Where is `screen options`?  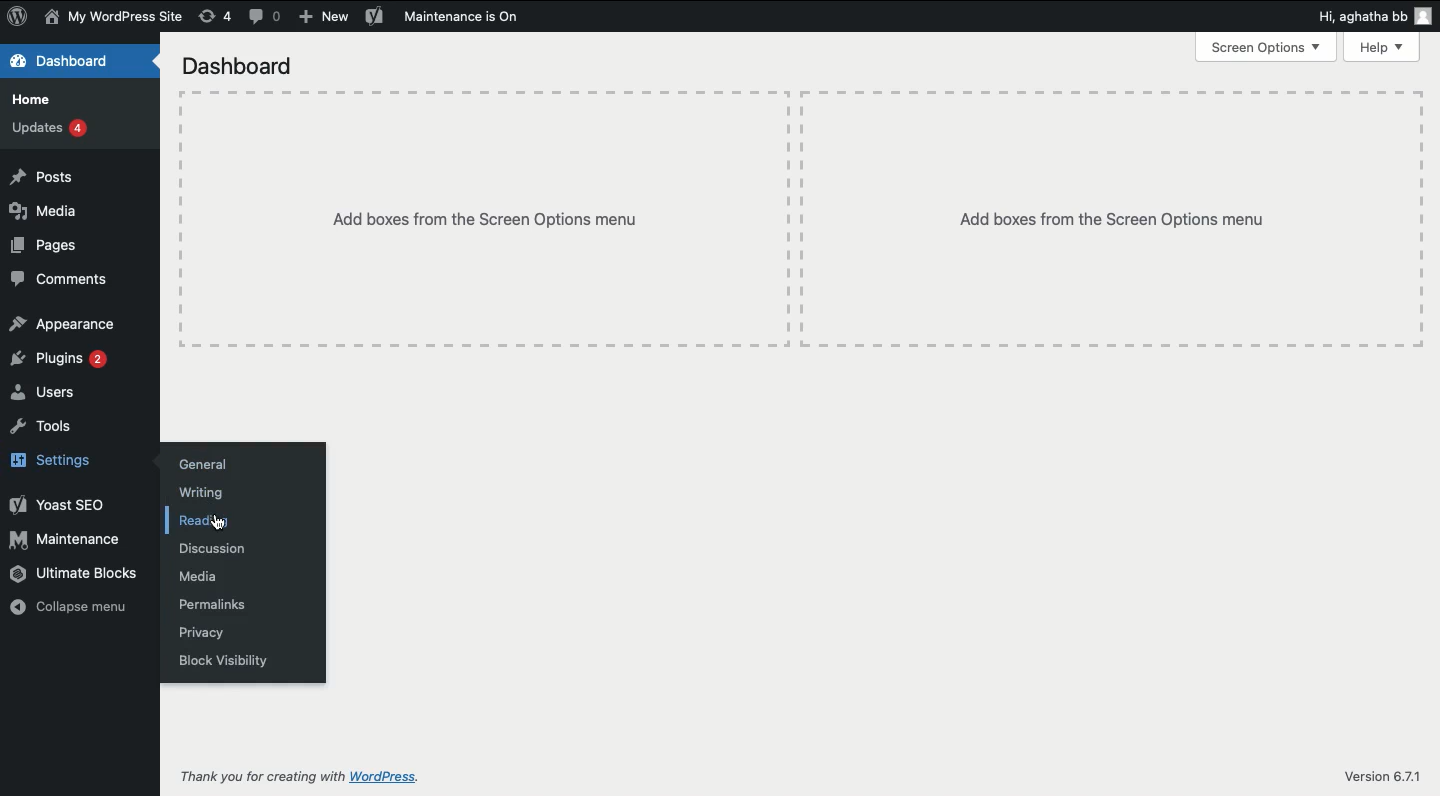
screen options is located at coordinates (1264, 47).